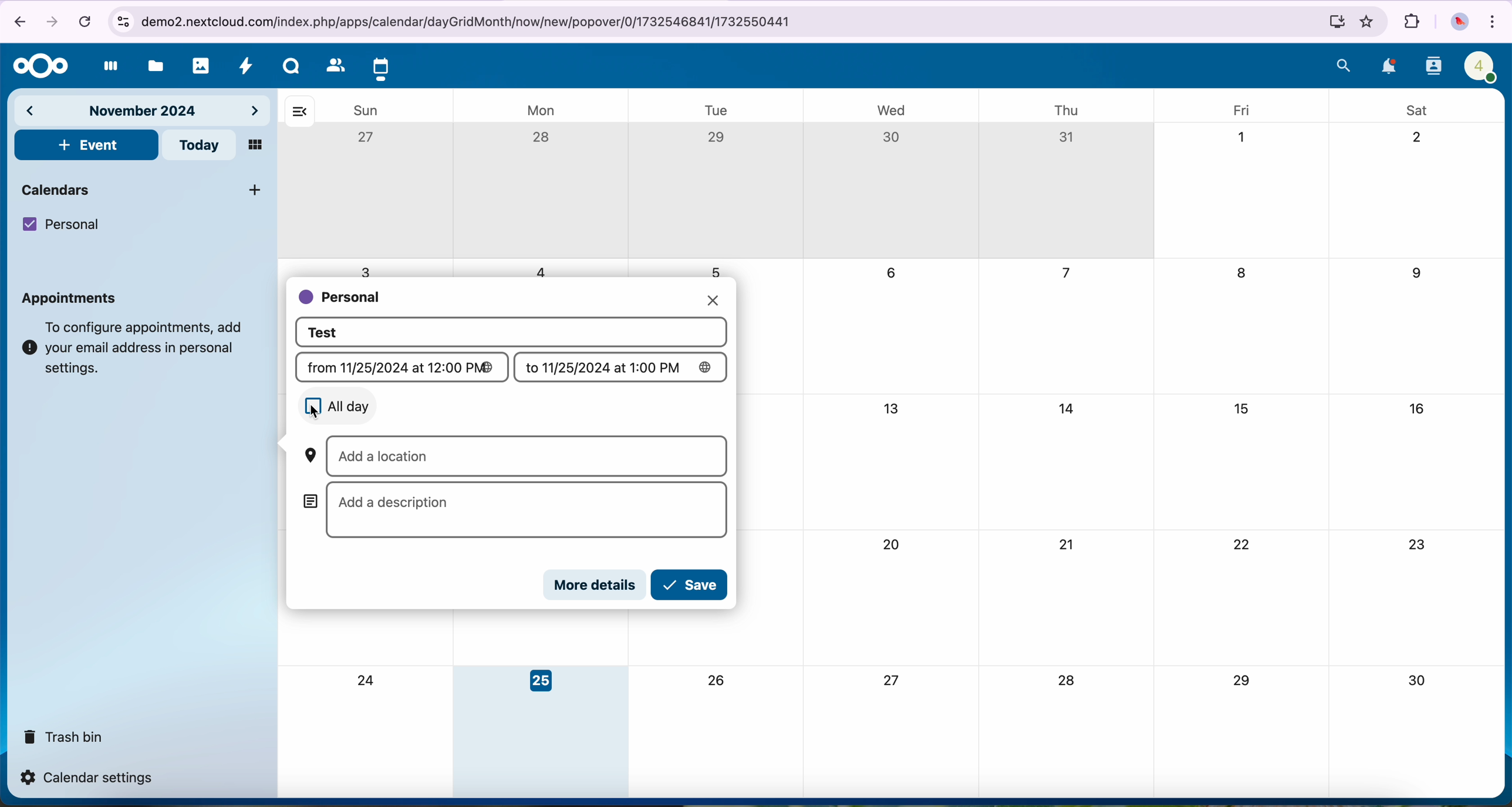 The width and height of the screenshot is (1512, 807). I want to click on 7, so click(1065, 274).